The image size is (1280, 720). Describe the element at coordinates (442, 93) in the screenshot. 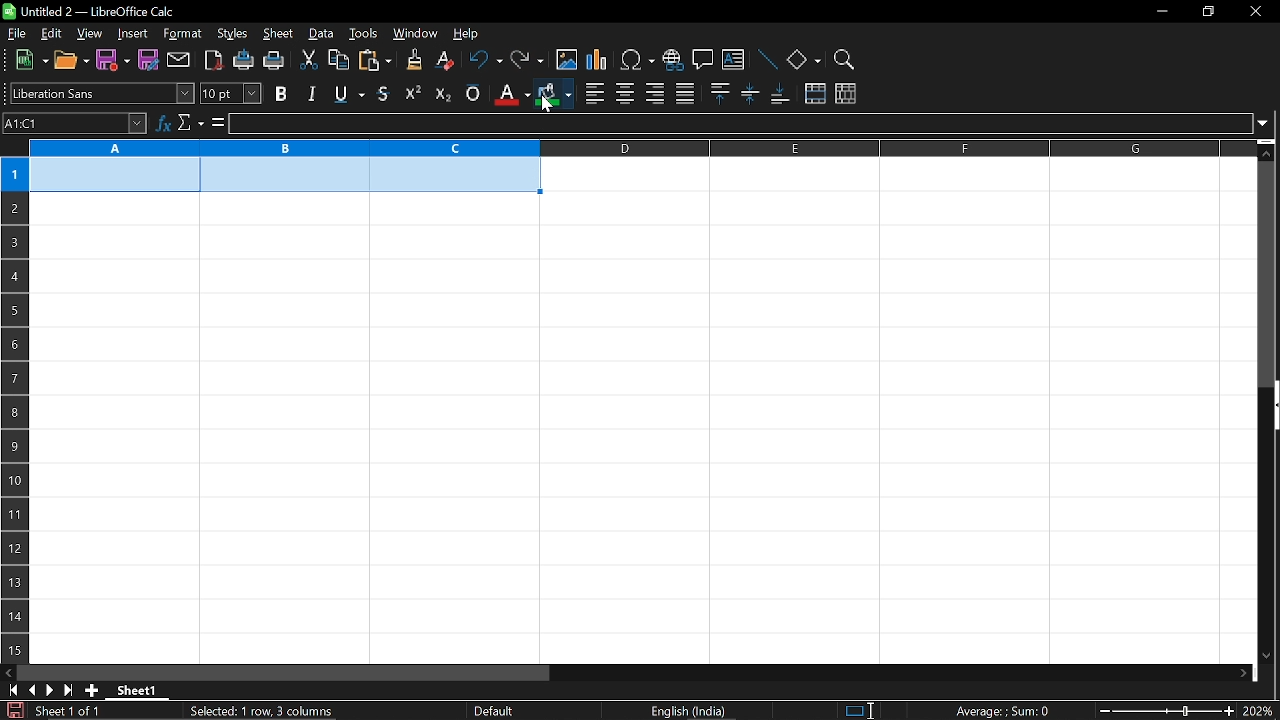

I see `subscript` at that location.